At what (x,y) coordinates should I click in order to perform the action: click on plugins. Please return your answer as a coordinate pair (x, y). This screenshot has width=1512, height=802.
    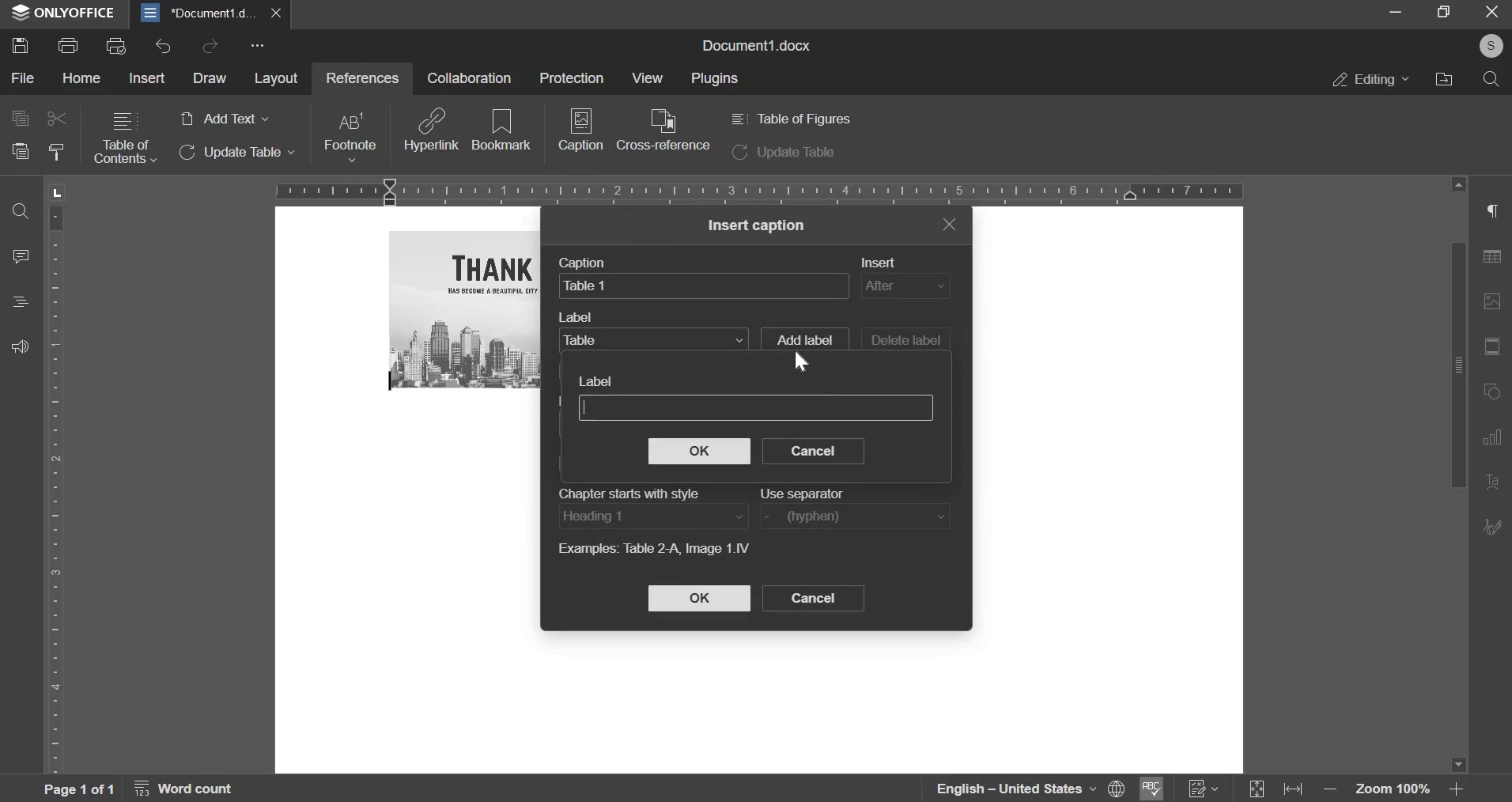
    Looking at the image, I should click on (716, 79).